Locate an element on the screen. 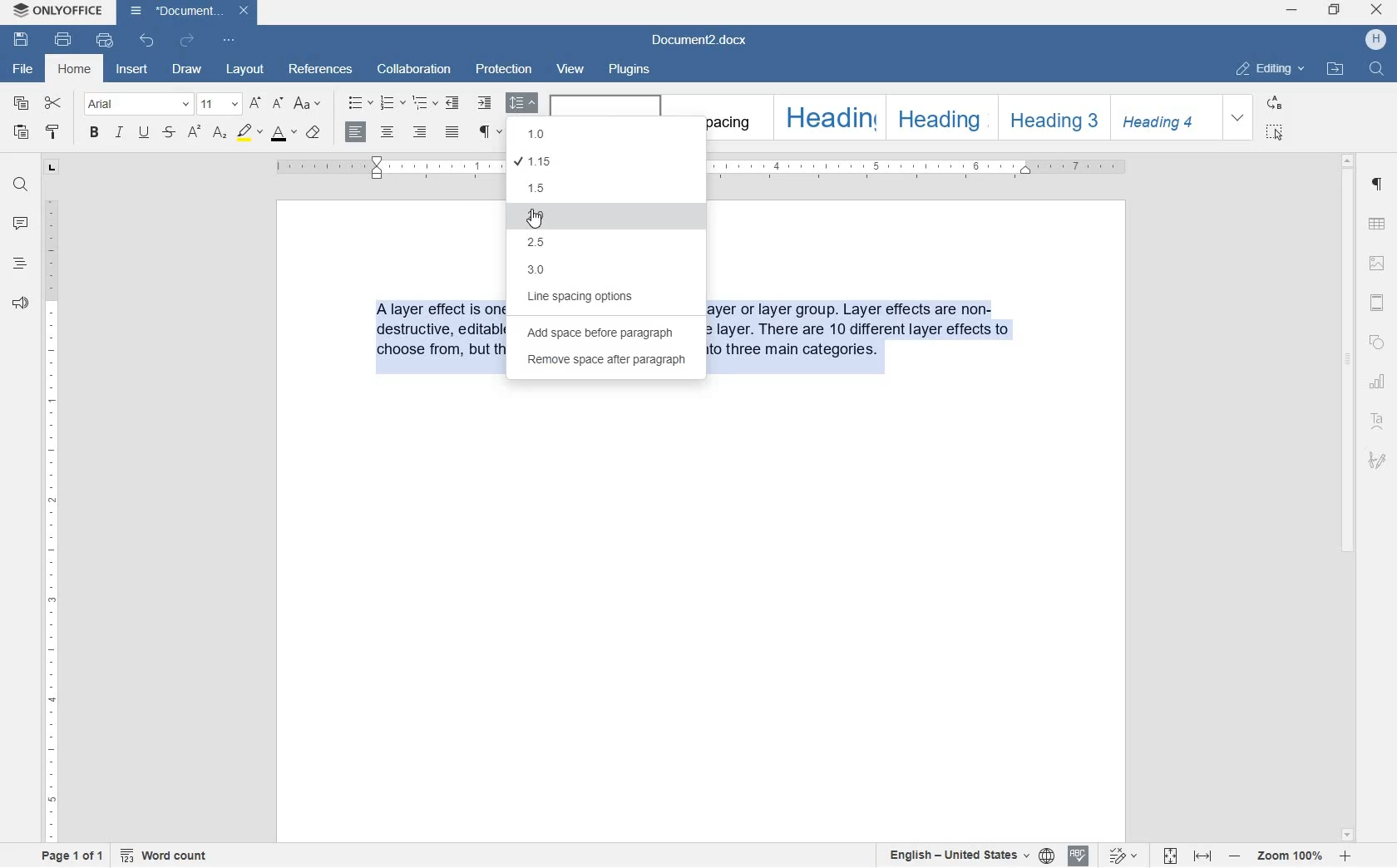 The height and width of the screenshot is (868, 1397). print is located at coordinates (63, 39).